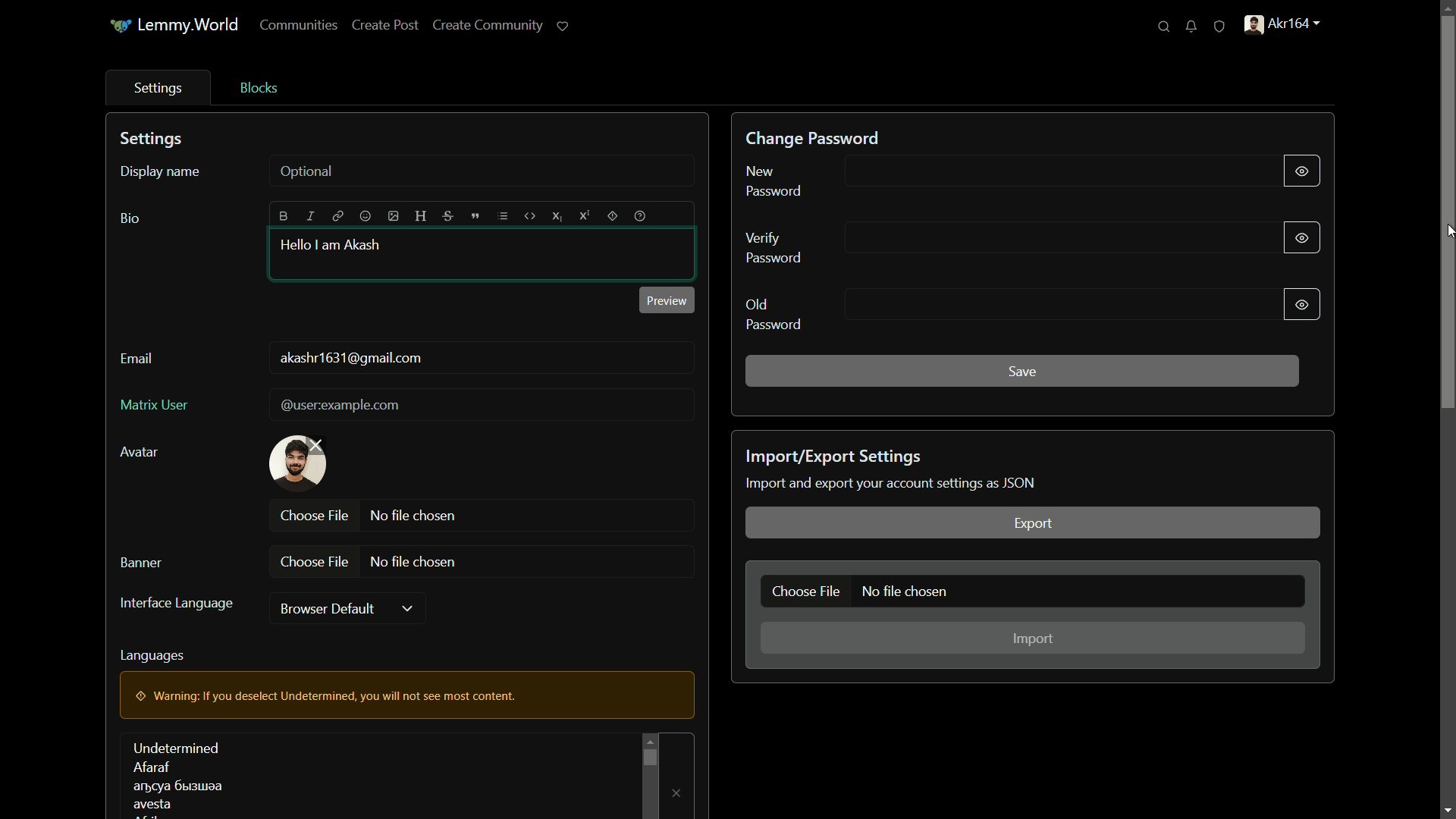 This screenshot has width=1456, height=819. I want to click on code, so click(529, 217).